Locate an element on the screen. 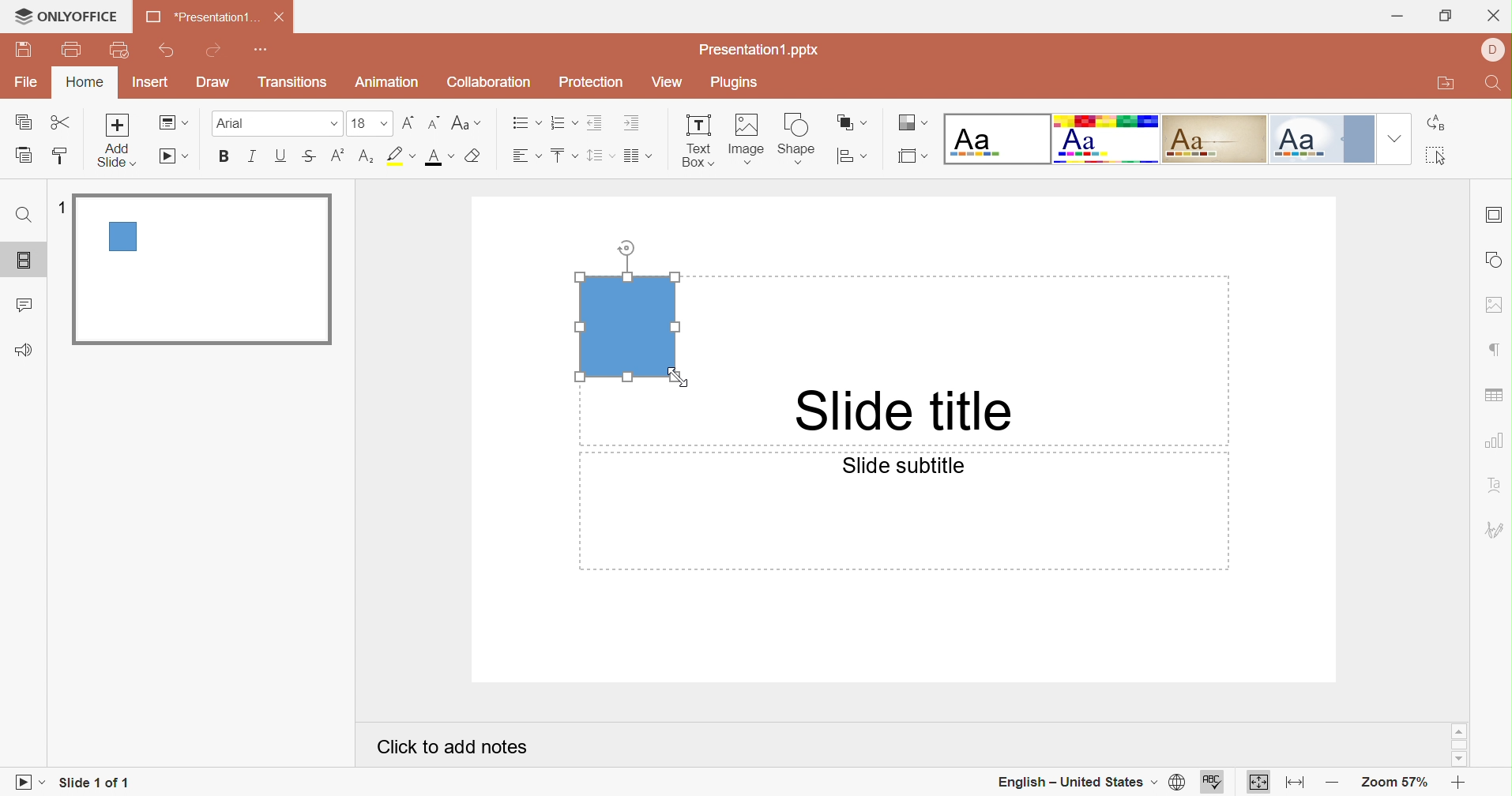 This screenshot has width=1512, height=796. Print file is located at coordinates (75, 48).